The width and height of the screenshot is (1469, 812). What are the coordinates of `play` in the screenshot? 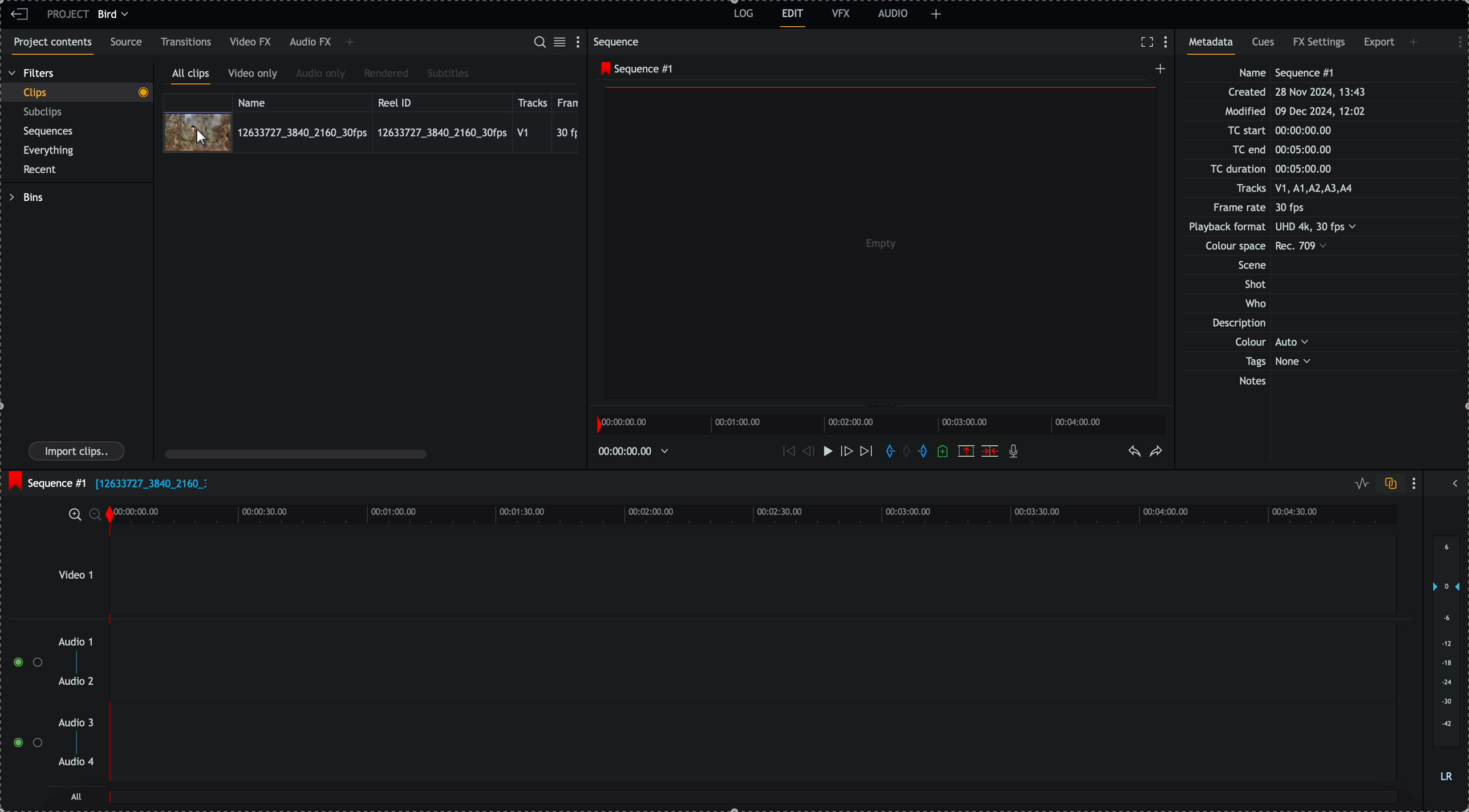 It's located at (824, 452).